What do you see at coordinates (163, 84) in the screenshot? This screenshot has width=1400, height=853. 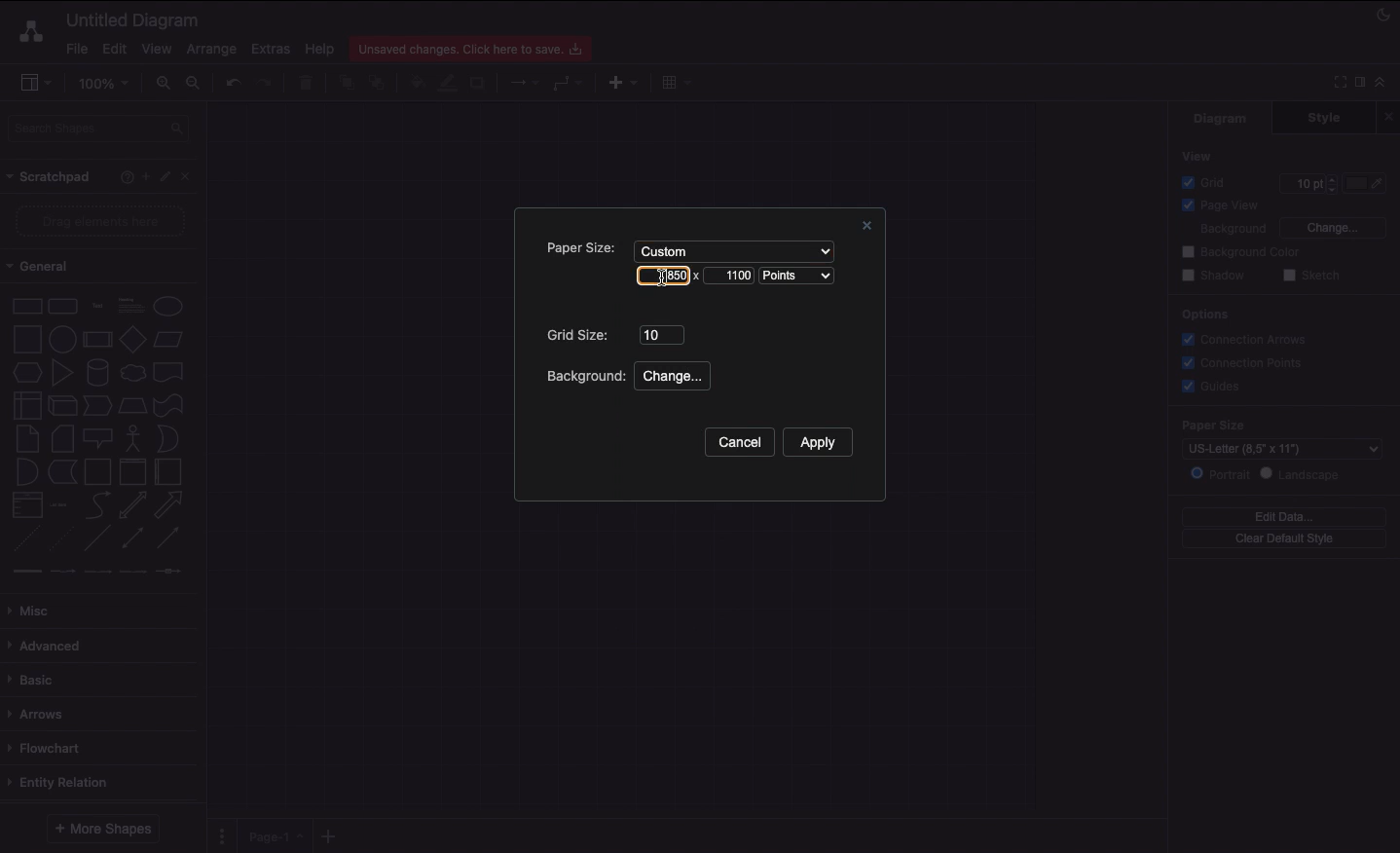 I see `Zoom in` at bounding box center [163, 84].